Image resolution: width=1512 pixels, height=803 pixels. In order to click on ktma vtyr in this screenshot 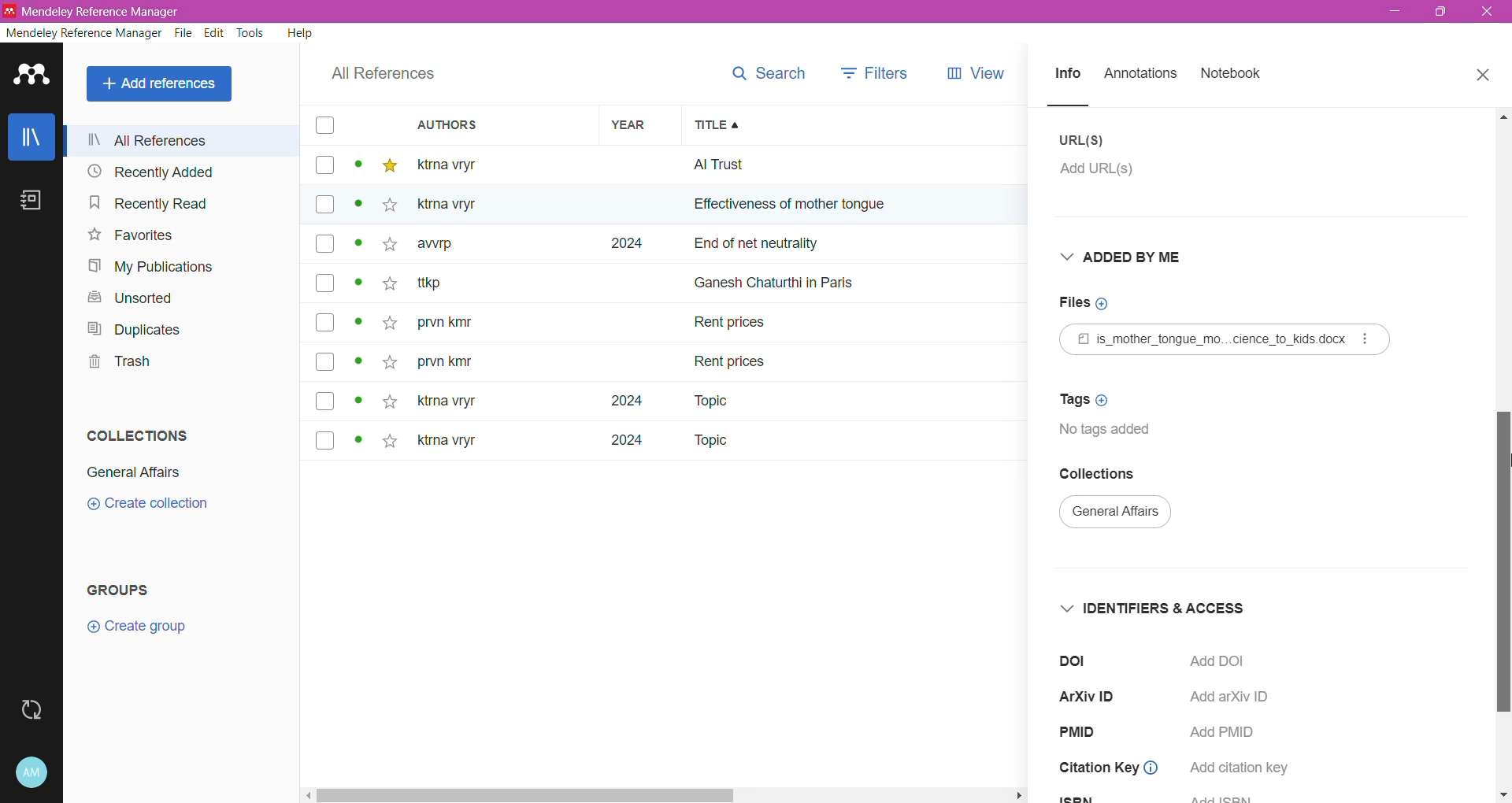, I will do `click(458, 164)`.